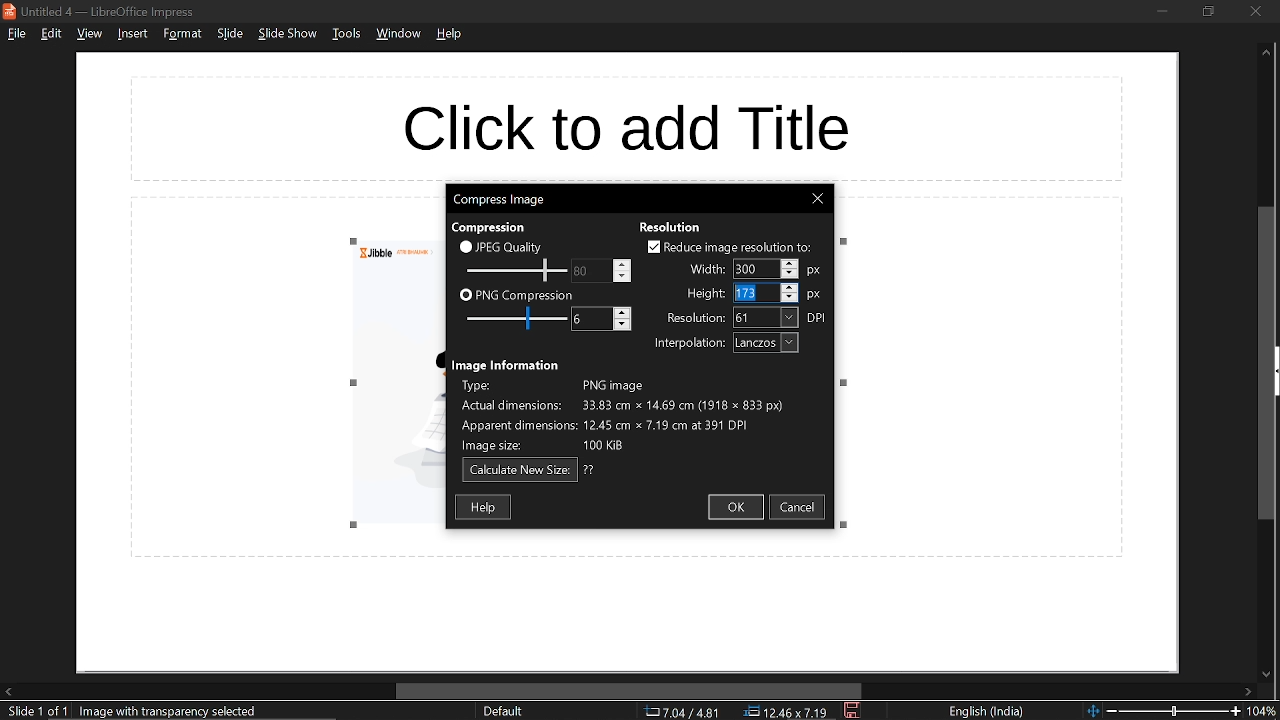 The width and height of the screenshot is (1280, 720). What do you see at coordinates (791, 286) in the screenshot?
I see `Increase ` at bounding box center [791, 286].